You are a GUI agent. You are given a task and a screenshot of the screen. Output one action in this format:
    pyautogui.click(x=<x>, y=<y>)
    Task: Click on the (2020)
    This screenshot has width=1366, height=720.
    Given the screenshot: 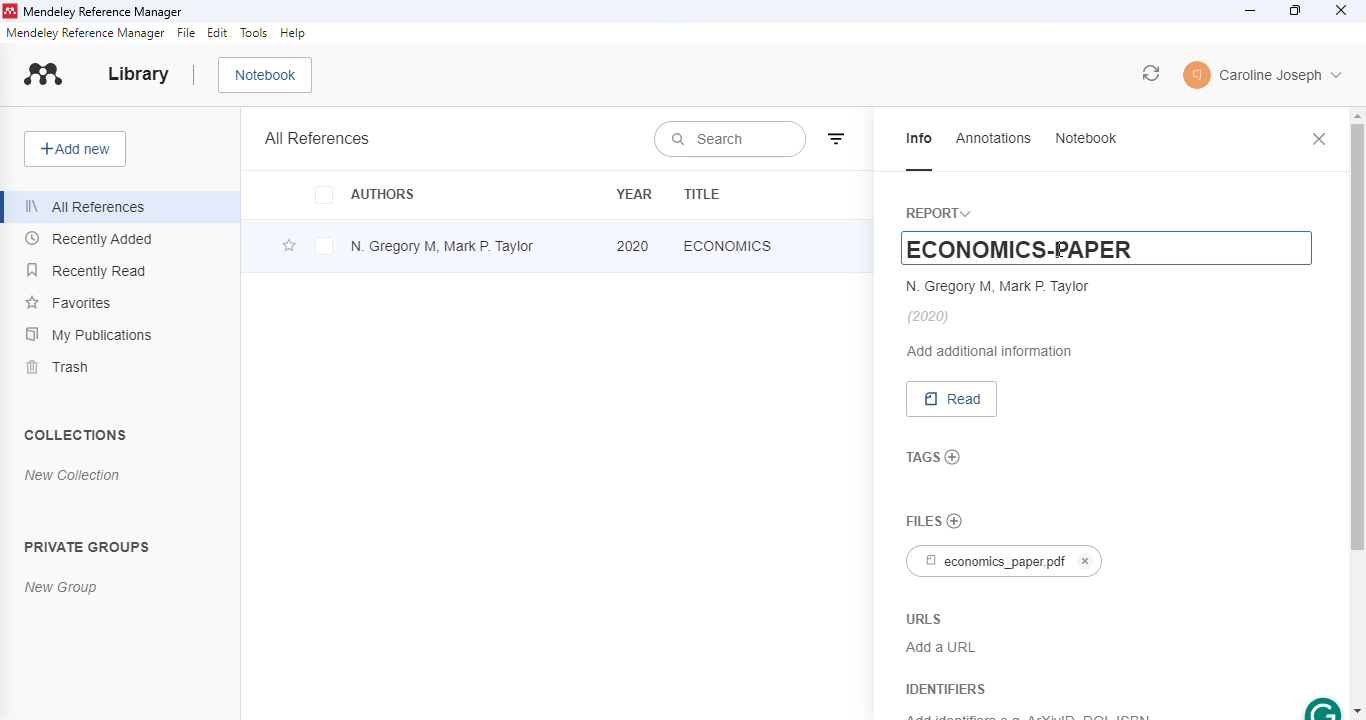 What is the action you would take?
    pyautogui.click(x=929, y=317)
    